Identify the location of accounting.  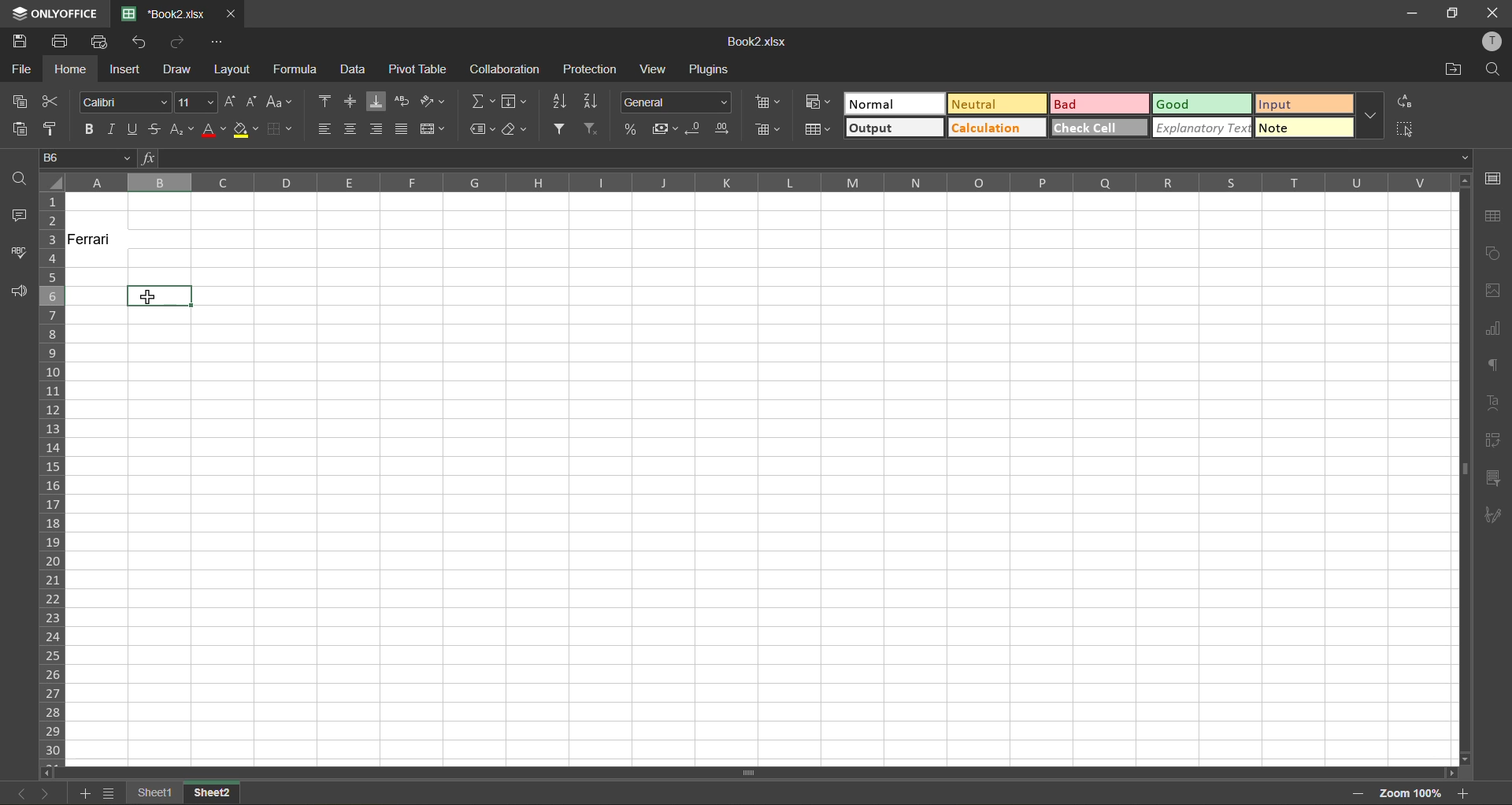
(663, 129).